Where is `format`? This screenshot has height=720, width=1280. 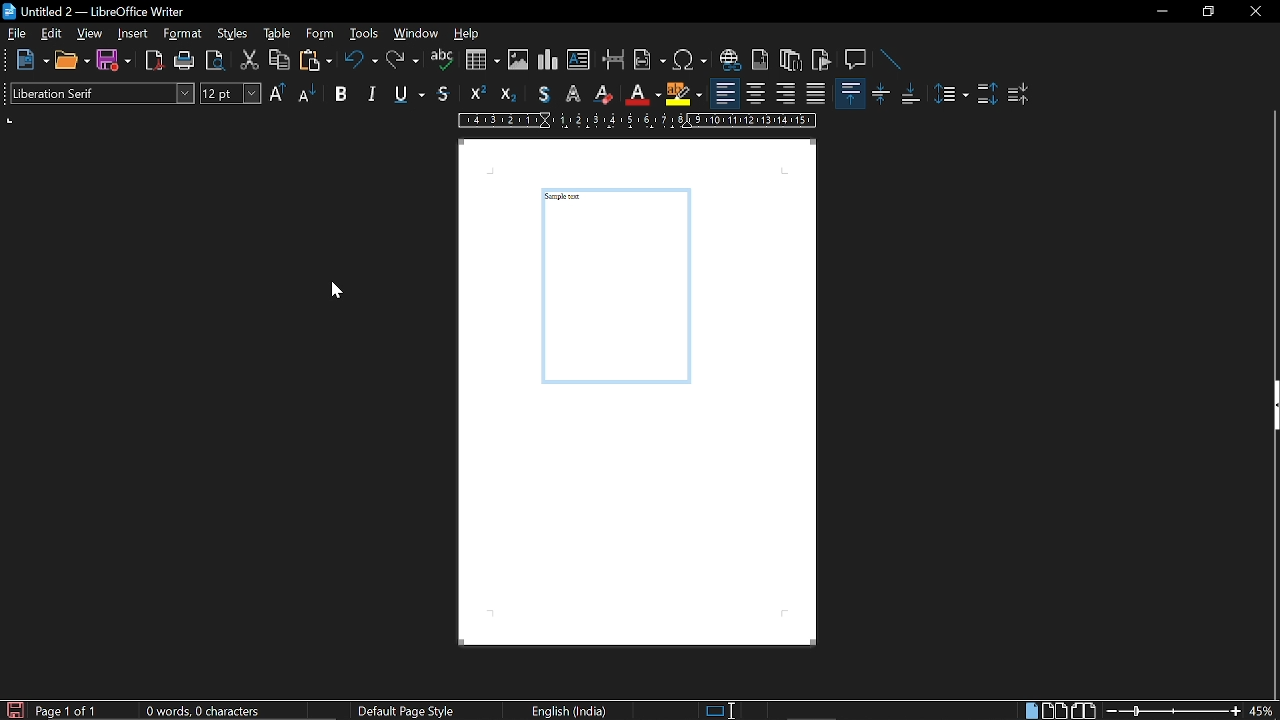 format is located at coordinates (185, 35).